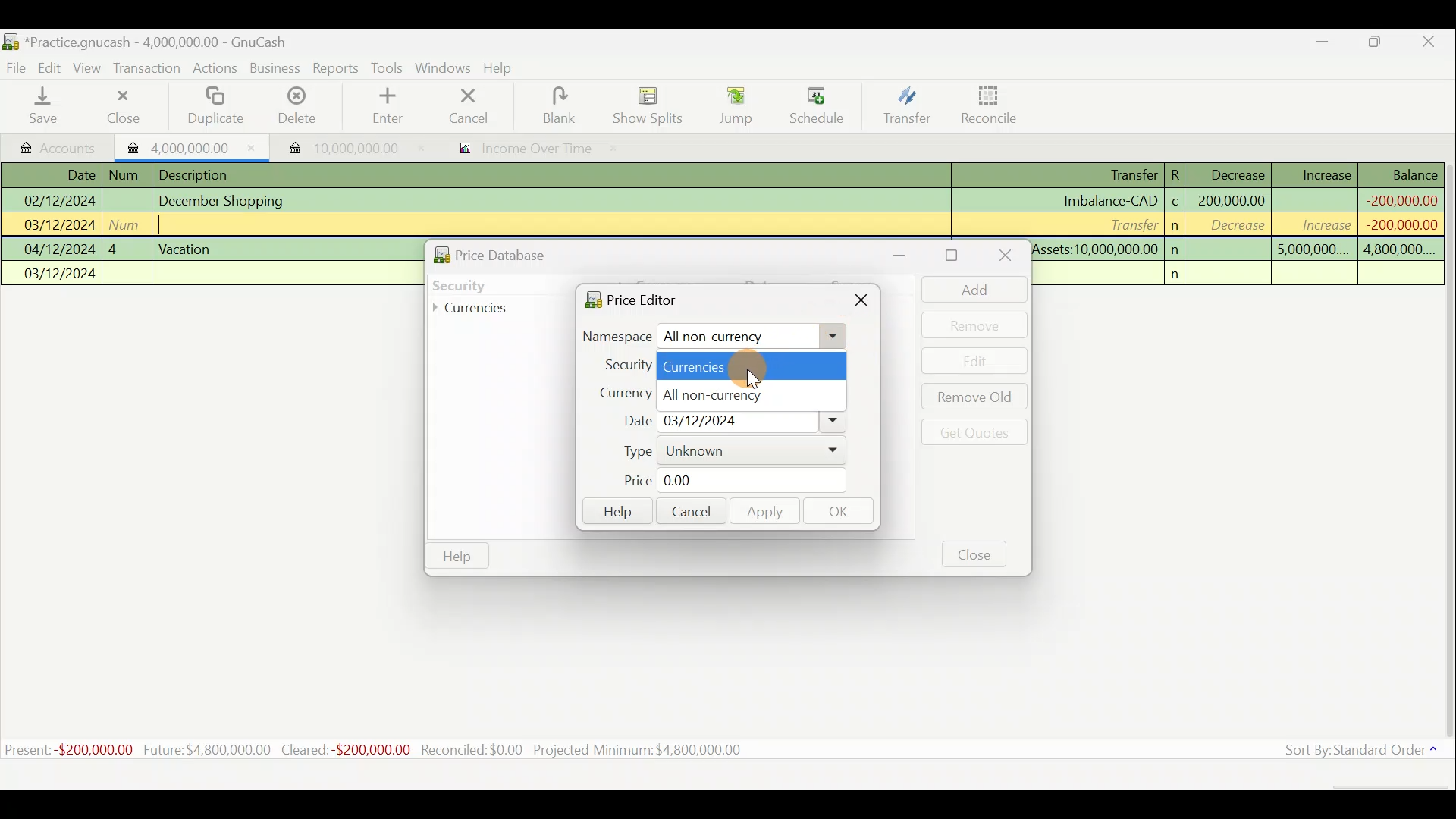 The image size is (1456, 819). What do you see at coordinates (1447, 454) in the screenshot?
I see `Scroll bar` at bounding box center [1447, 454].